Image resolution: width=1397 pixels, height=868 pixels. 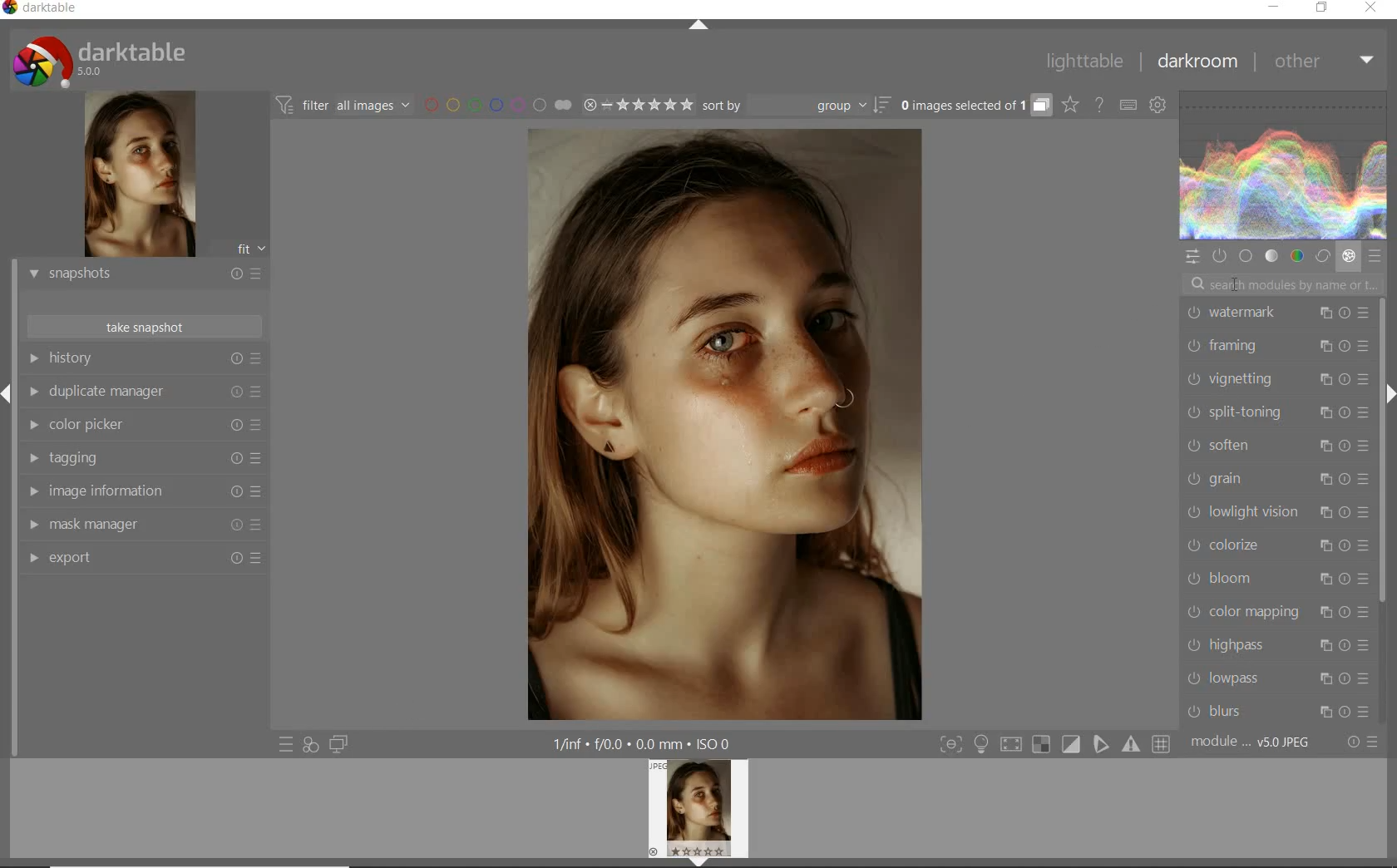 I want to click on base, so click(x=1247, y=257).